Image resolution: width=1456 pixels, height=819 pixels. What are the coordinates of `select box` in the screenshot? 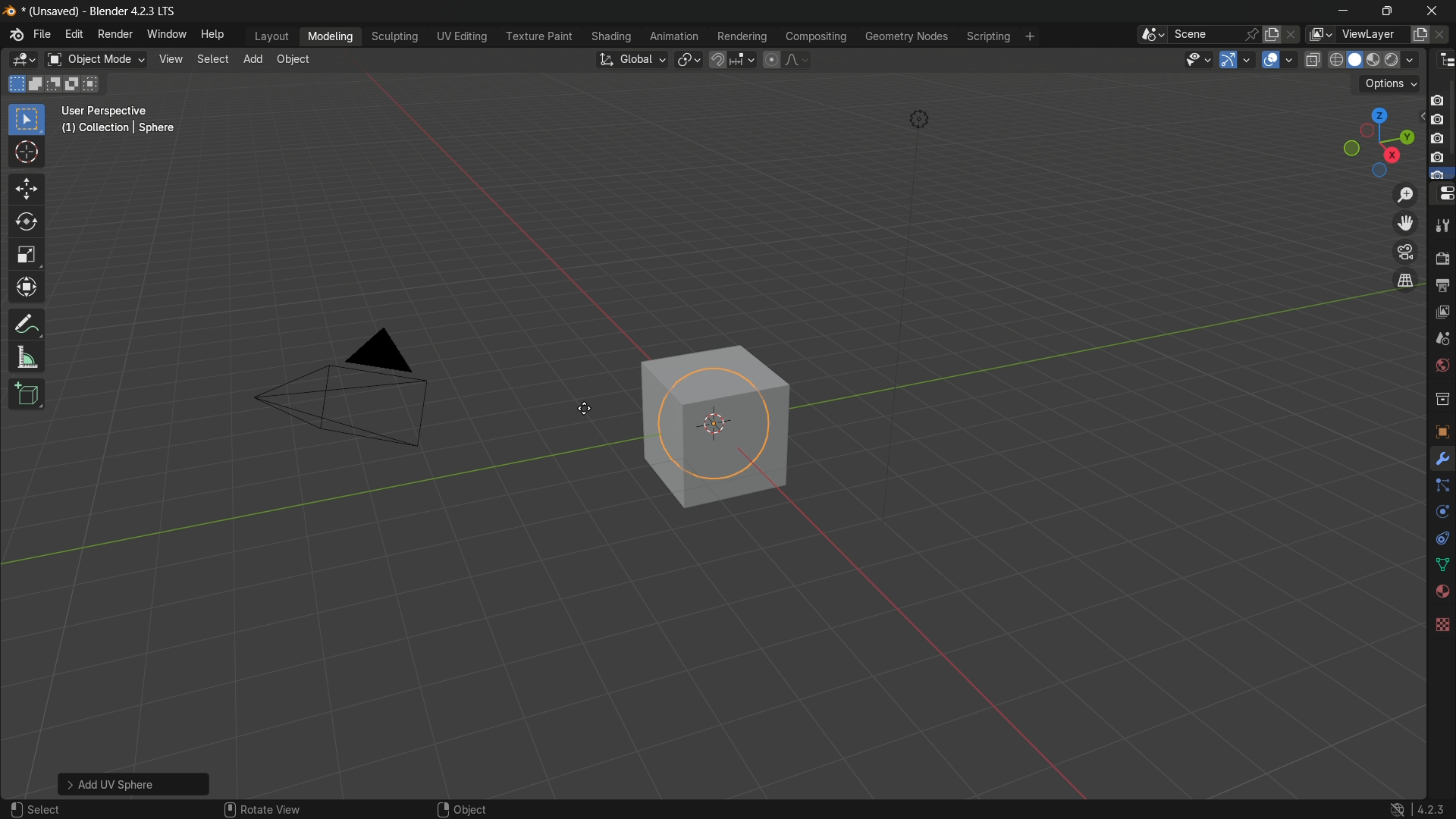 It's located at (27, 120).